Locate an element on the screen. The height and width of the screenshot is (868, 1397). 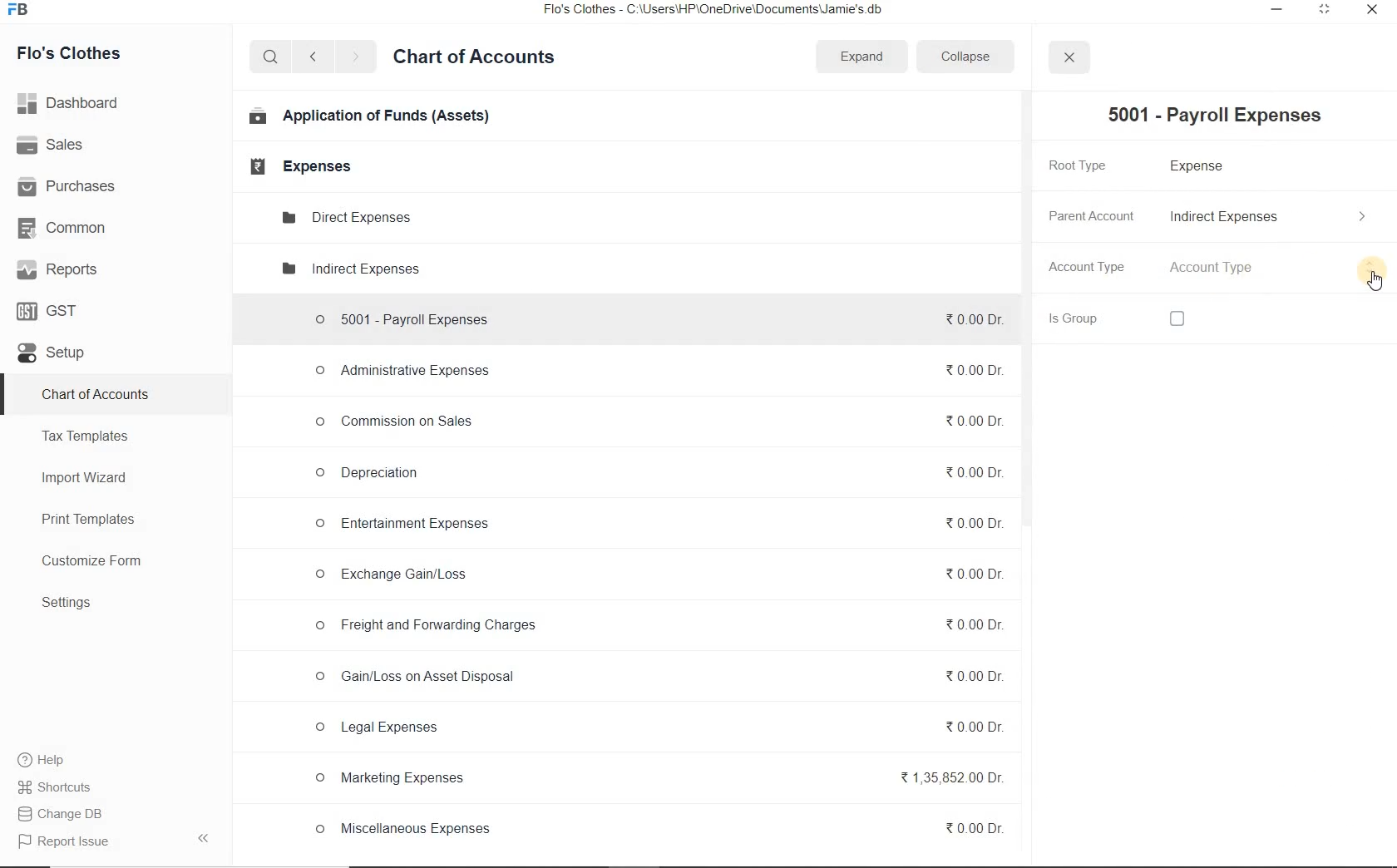
Customize Form is located at coordinates (92, 561).